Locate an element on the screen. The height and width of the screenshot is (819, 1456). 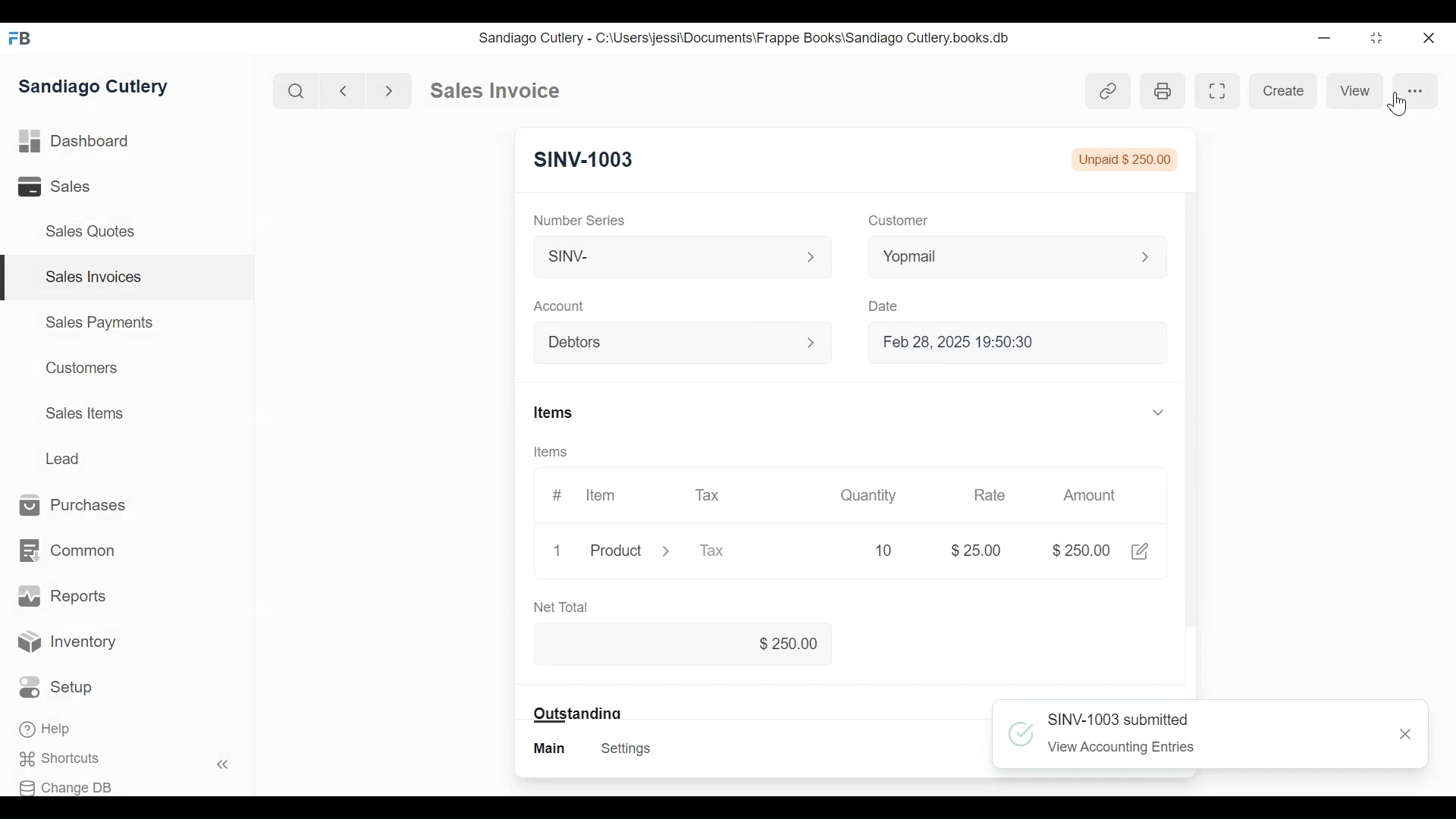
Purchases is located at coordinates (80, 506).